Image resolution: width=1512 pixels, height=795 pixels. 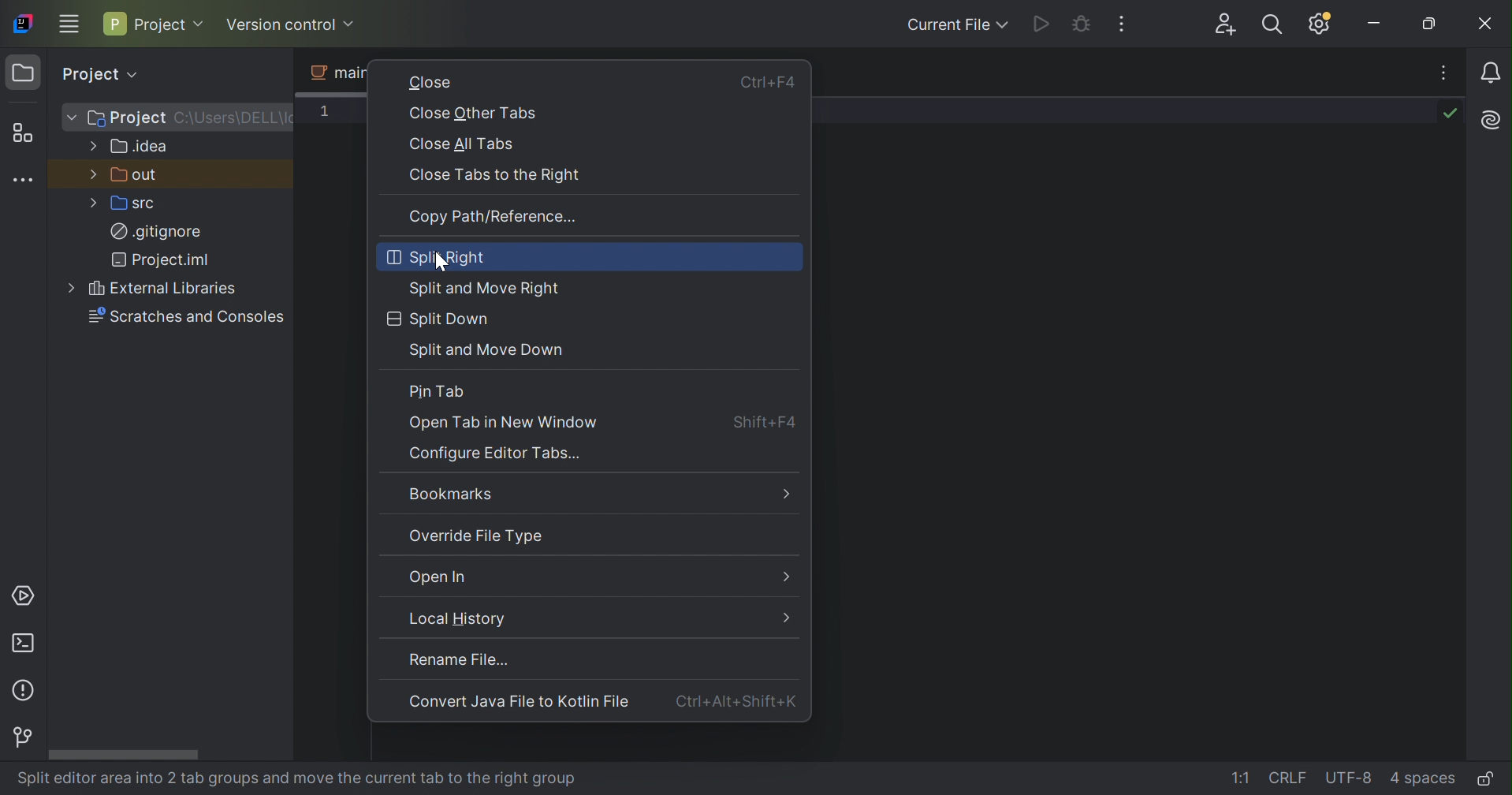 I want to click on Problems, so click(x=28, y=691).